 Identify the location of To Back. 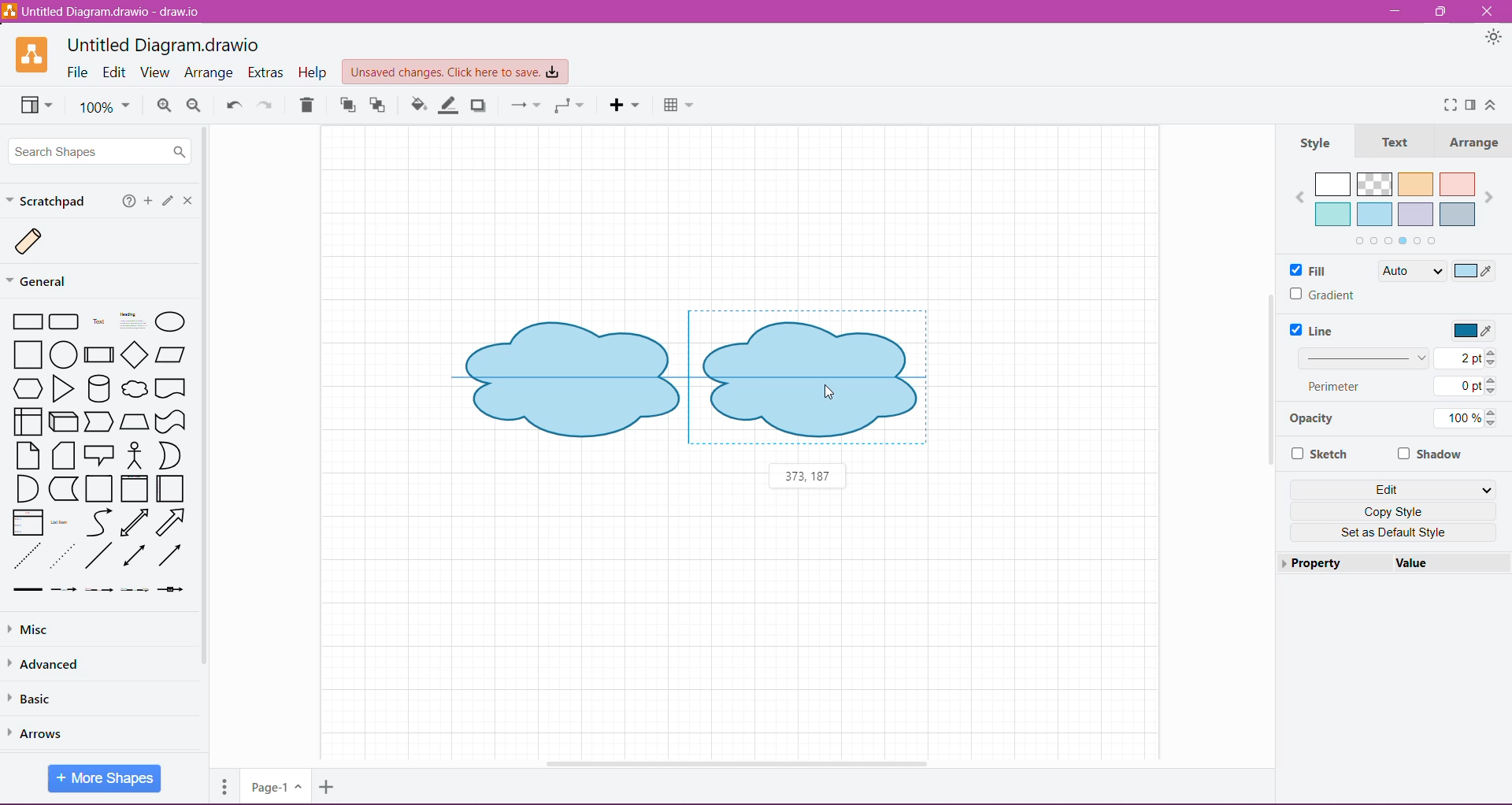
(379, 106).